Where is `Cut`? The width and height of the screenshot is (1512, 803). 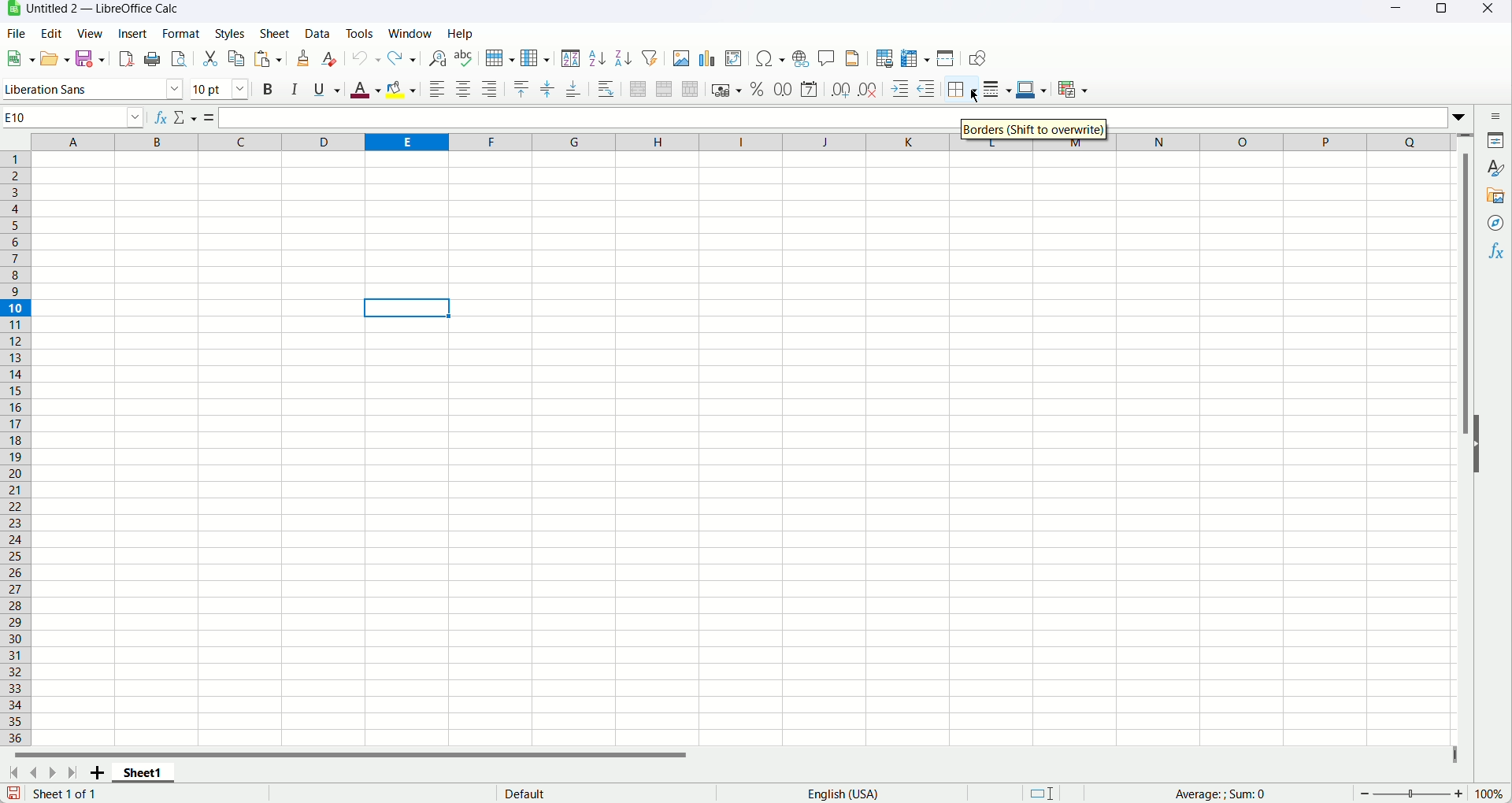
Cut is located at coordinates (210, 58).